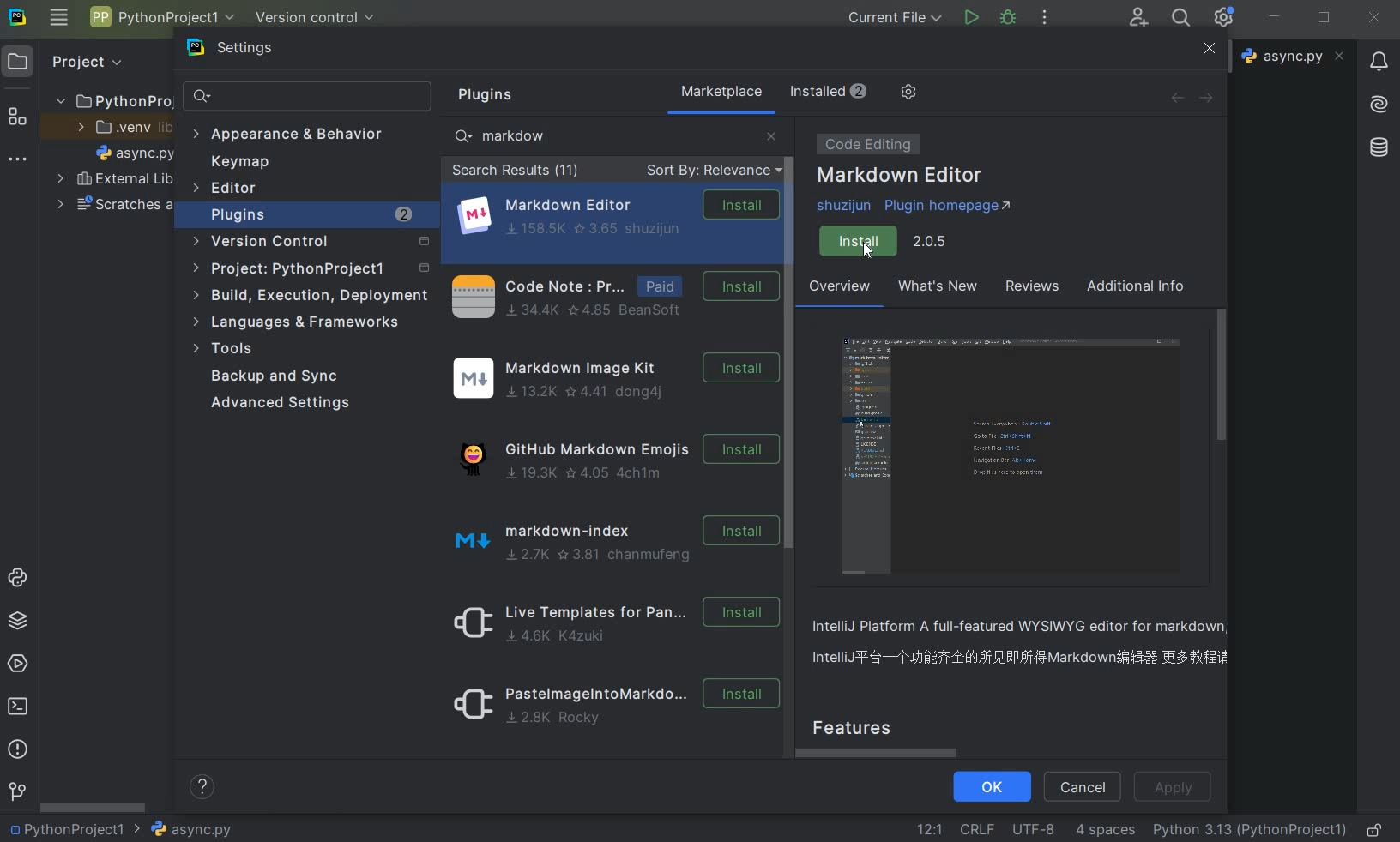 The image size is (1400, 842). What do you see at coordinates (190, 829) in the screenshot?
I see `file name` at bounding box center [190, 829].